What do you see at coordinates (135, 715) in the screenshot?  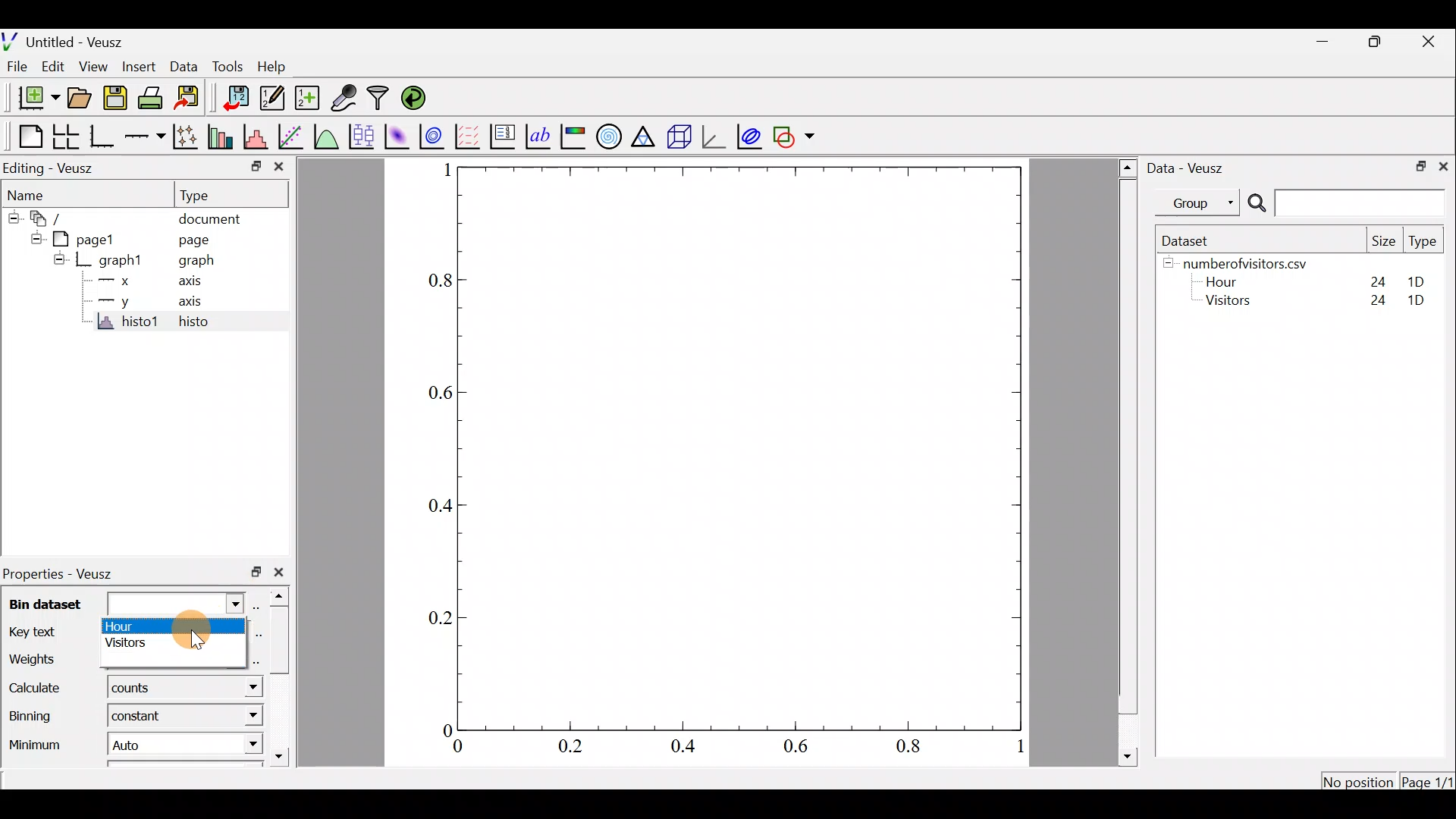 I see `constant` at bounding box center [135, 715].